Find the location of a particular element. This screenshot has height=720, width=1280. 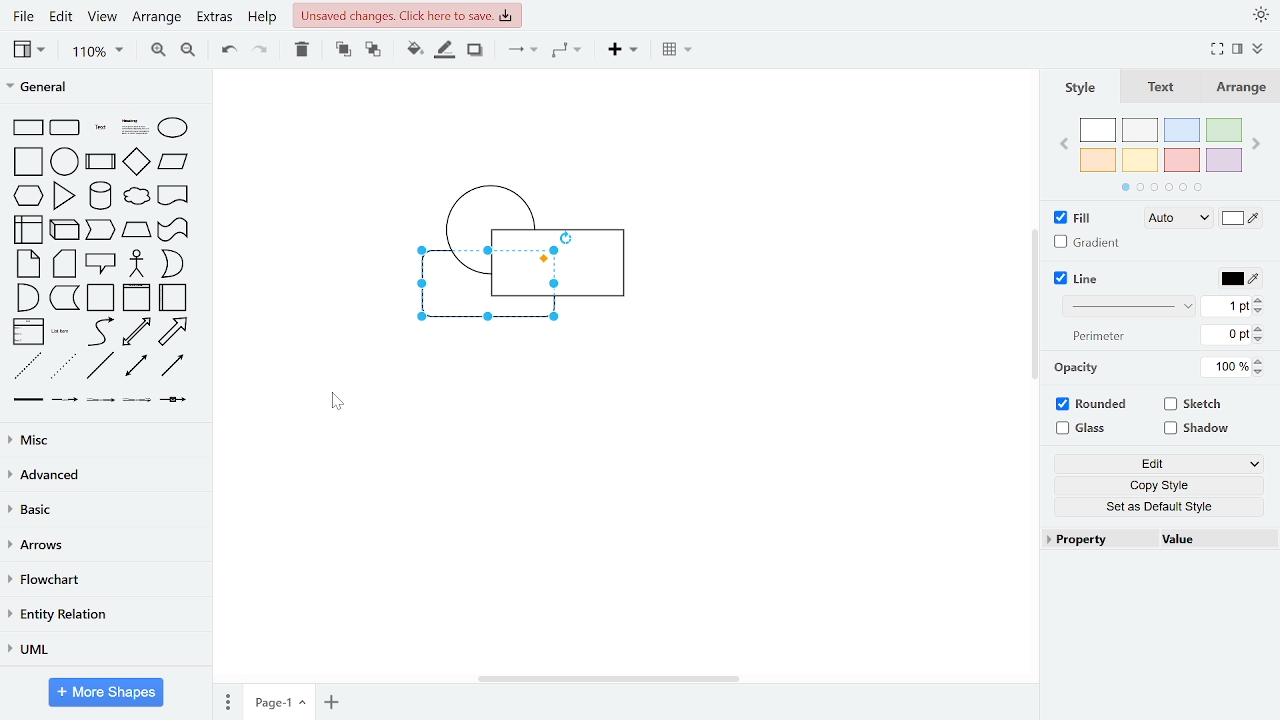

text is located at coordinates (99, 127).